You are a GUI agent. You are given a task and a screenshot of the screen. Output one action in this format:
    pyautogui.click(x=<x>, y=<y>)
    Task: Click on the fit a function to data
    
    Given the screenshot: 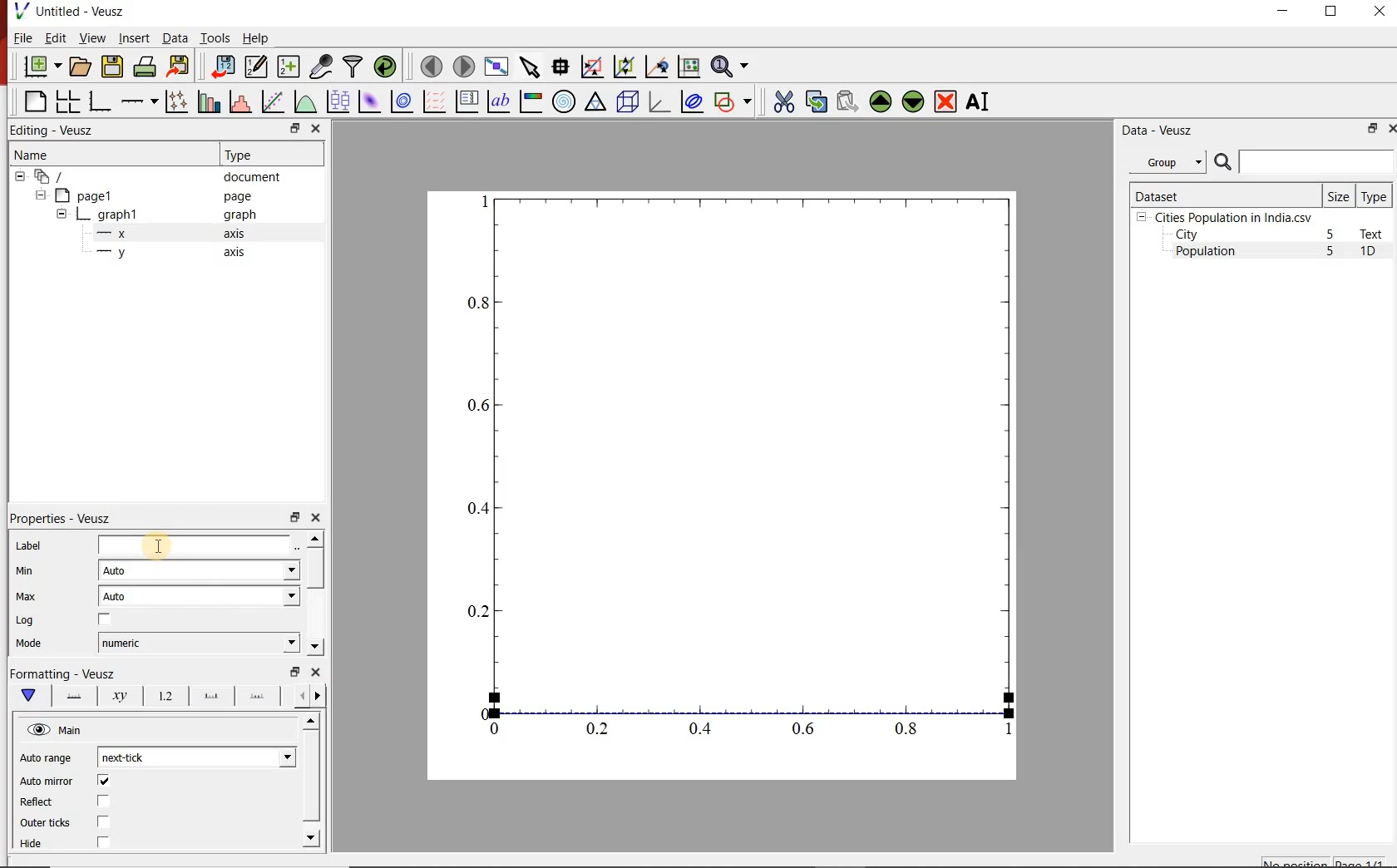 What is the action you would take?
    pyautogui.click(x=272, y=101)
    